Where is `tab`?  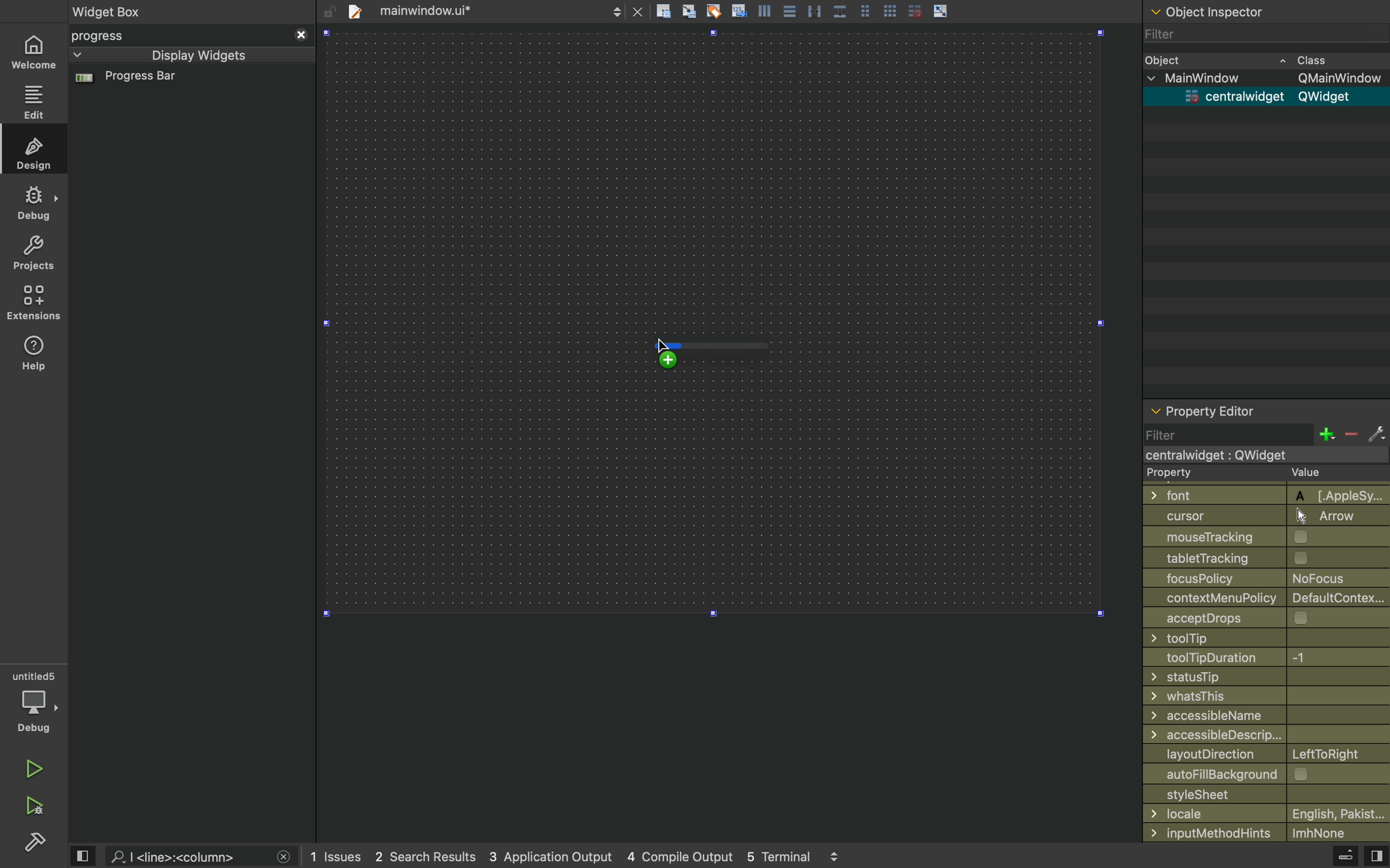
tab is located at coordinates (492, 10).